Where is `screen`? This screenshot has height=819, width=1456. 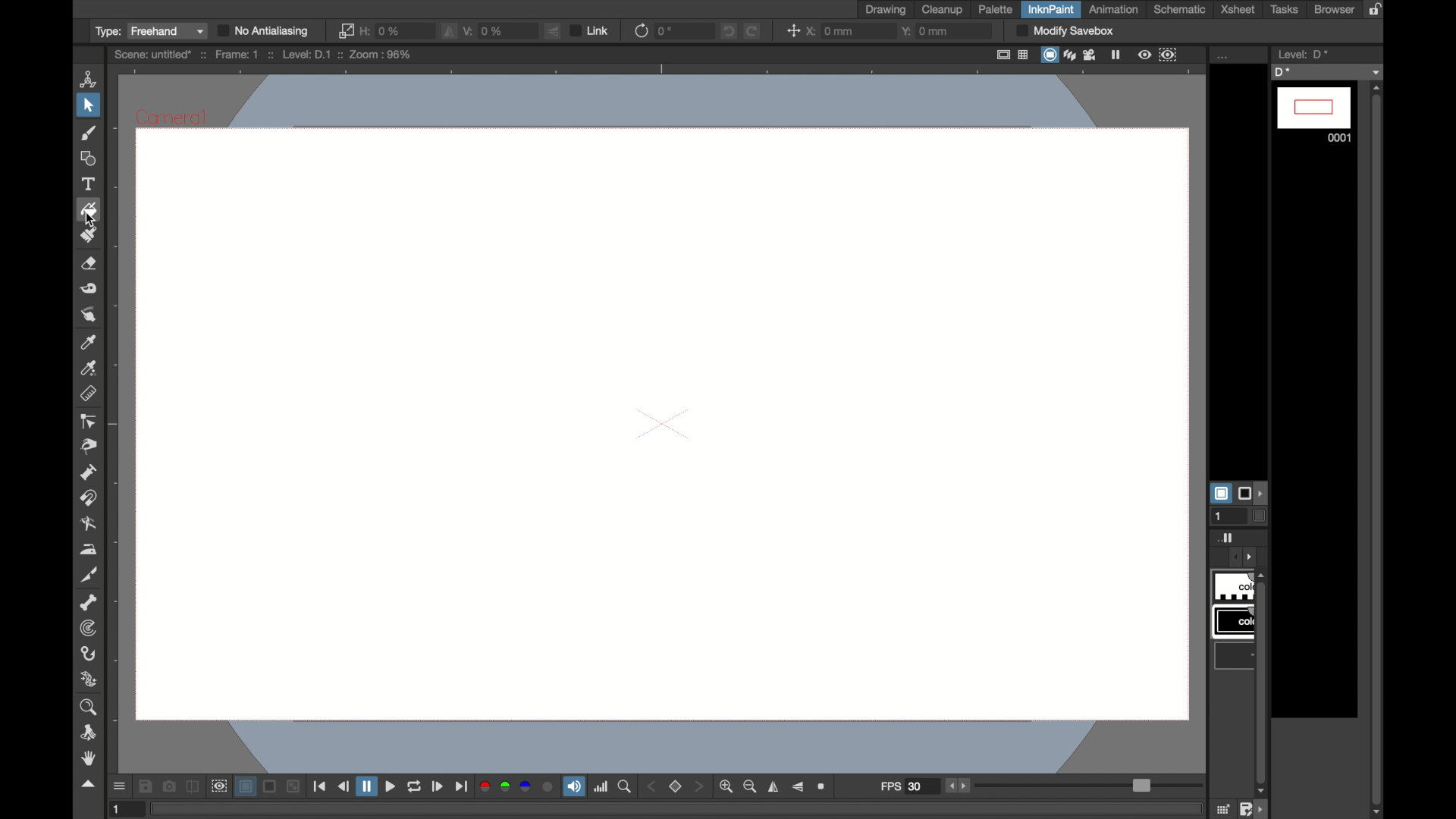
screen is located at coordinates (270, 786).